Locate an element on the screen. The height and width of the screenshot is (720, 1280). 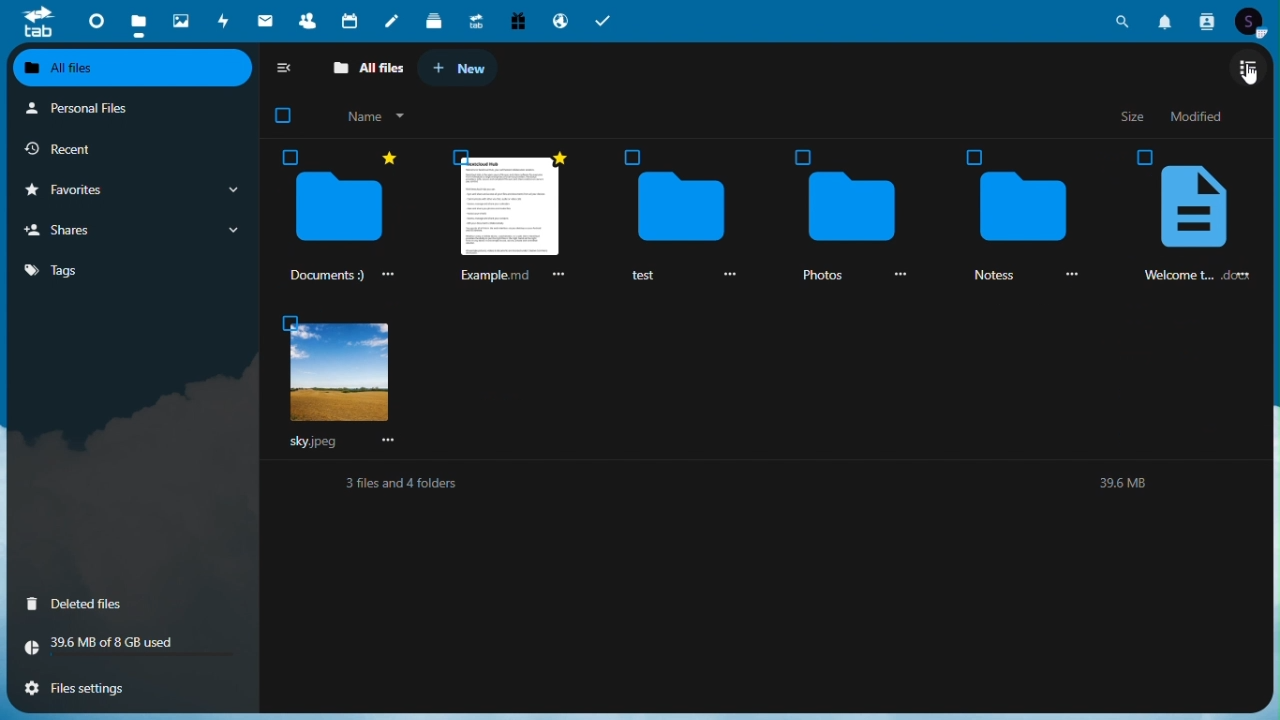
 is located at coordinates (1147, 156).